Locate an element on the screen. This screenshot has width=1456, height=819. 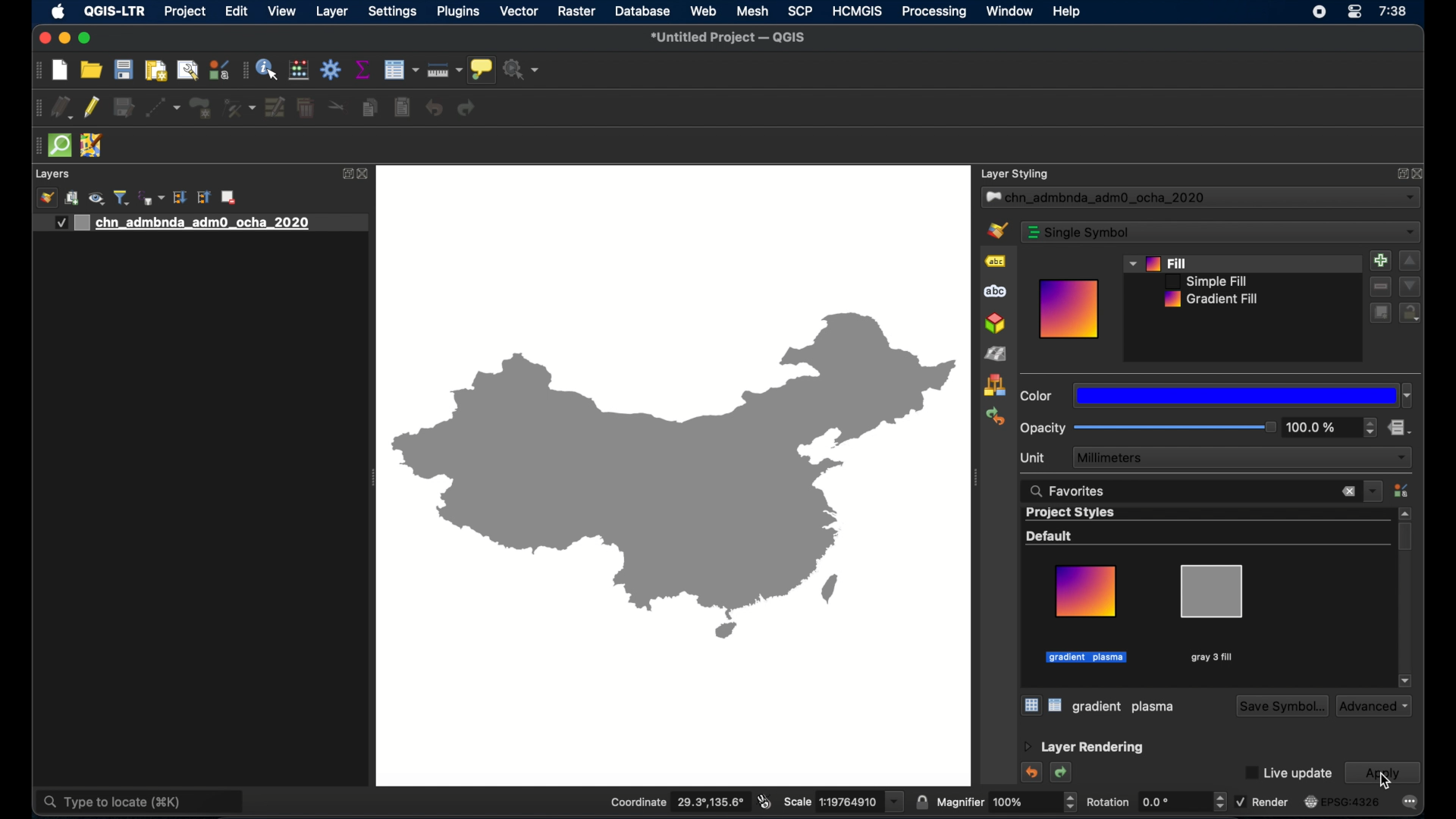
style manager is located at coordinates (299, 71).